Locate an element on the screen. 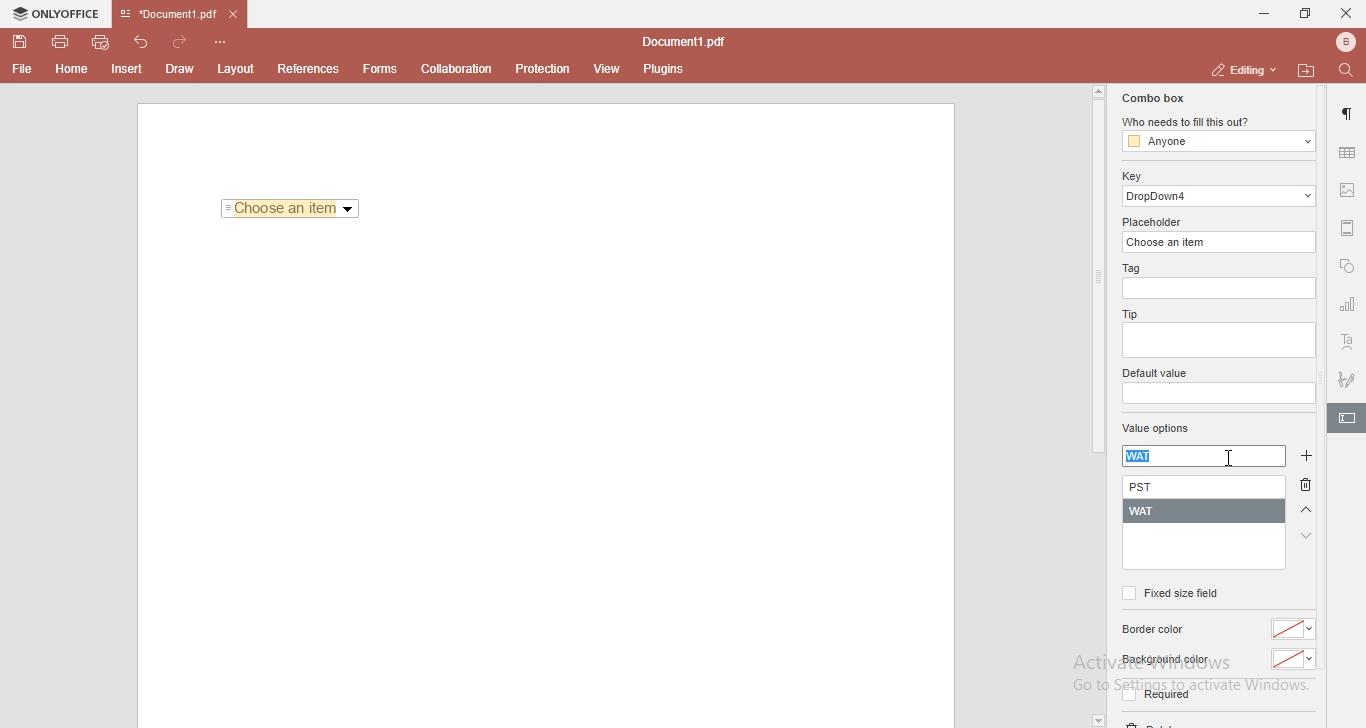  WAT added is located at coordinates (1205, 511).